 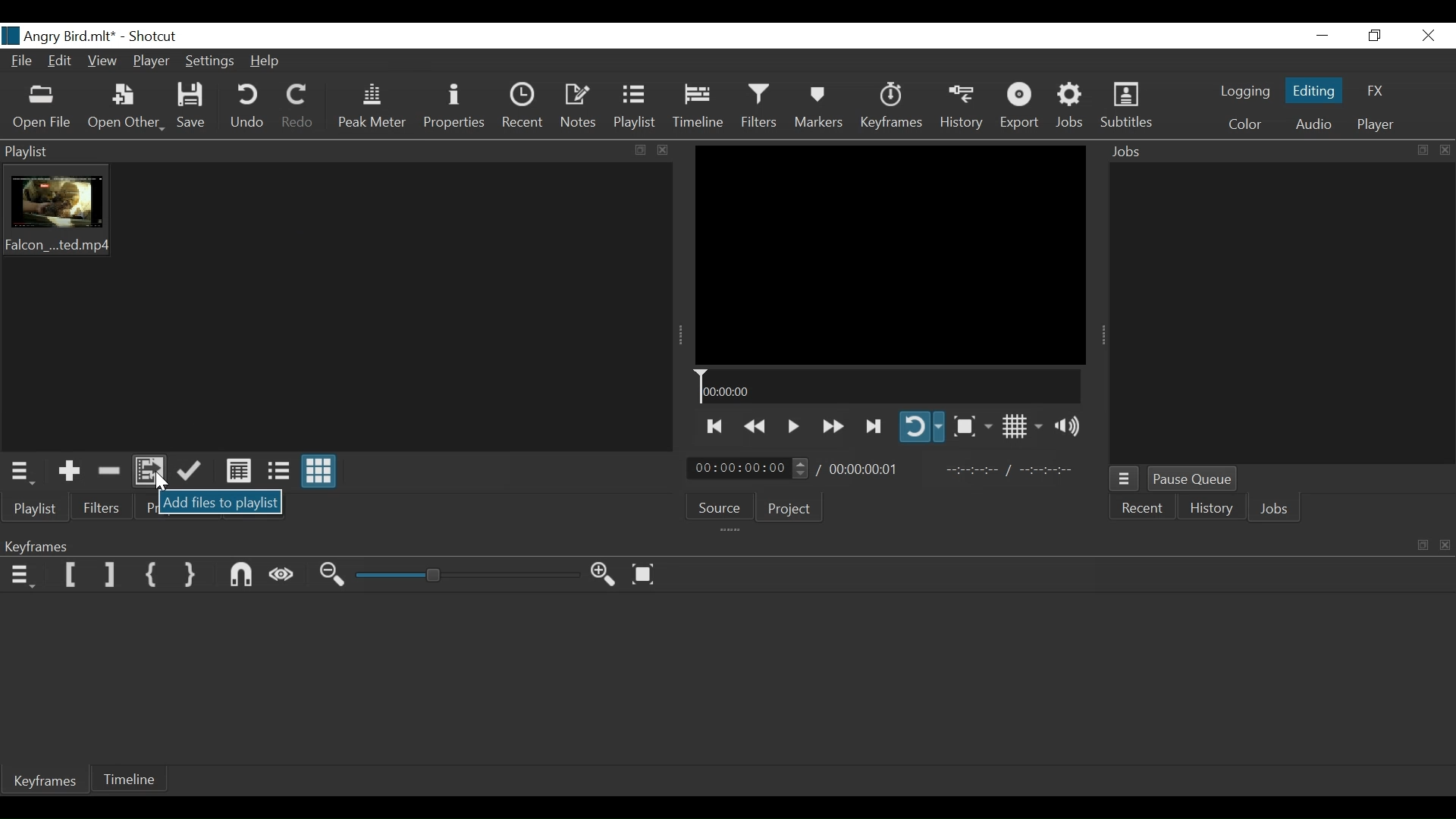 I want to click on Audio, so click(x=1316, y=124).